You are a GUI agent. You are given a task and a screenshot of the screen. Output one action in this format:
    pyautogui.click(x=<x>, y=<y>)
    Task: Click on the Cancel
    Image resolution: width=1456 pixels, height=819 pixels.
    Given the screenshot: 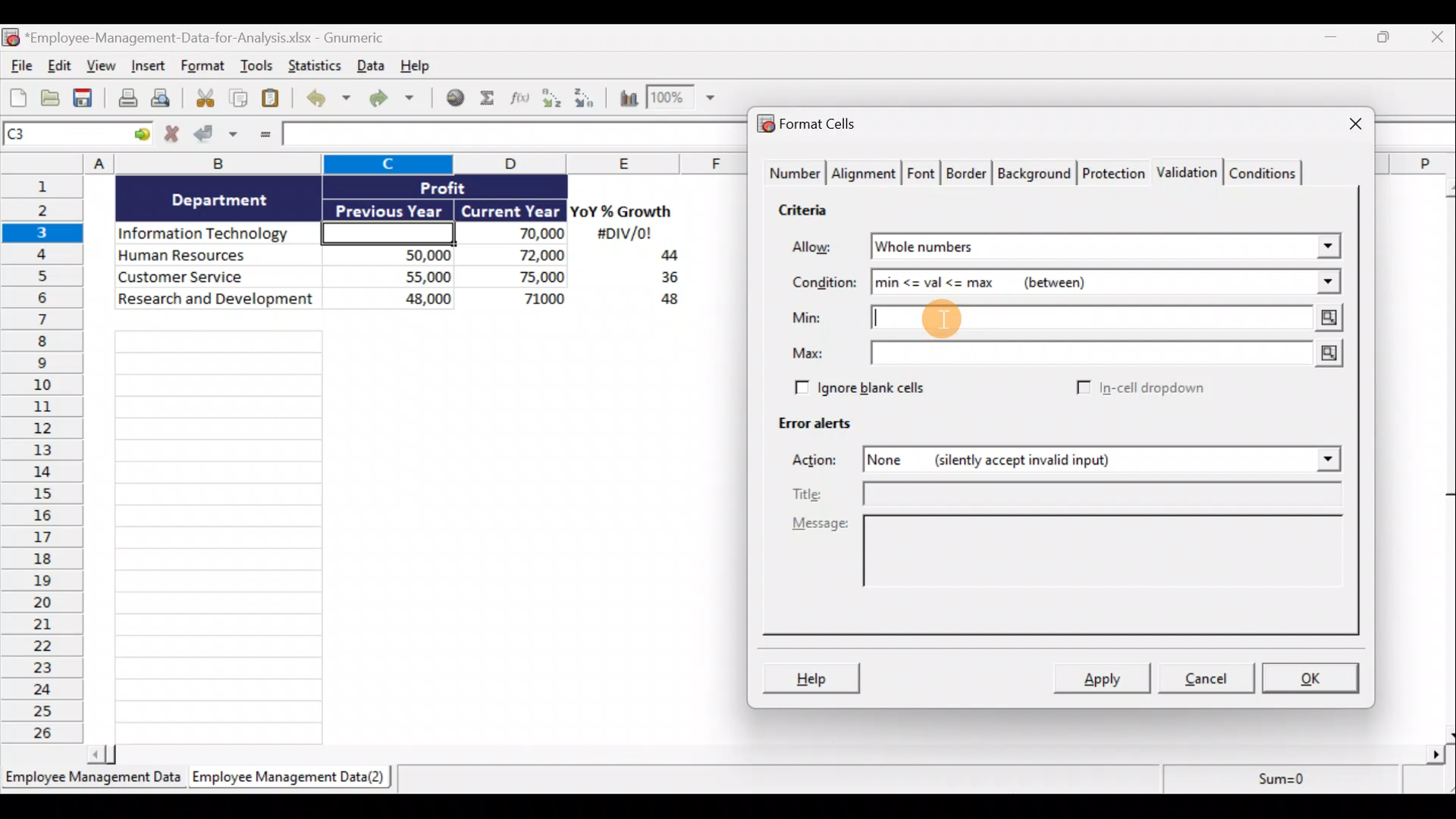 What is the action you would take?
    pyautogui.click(x=1212, y=680)
    